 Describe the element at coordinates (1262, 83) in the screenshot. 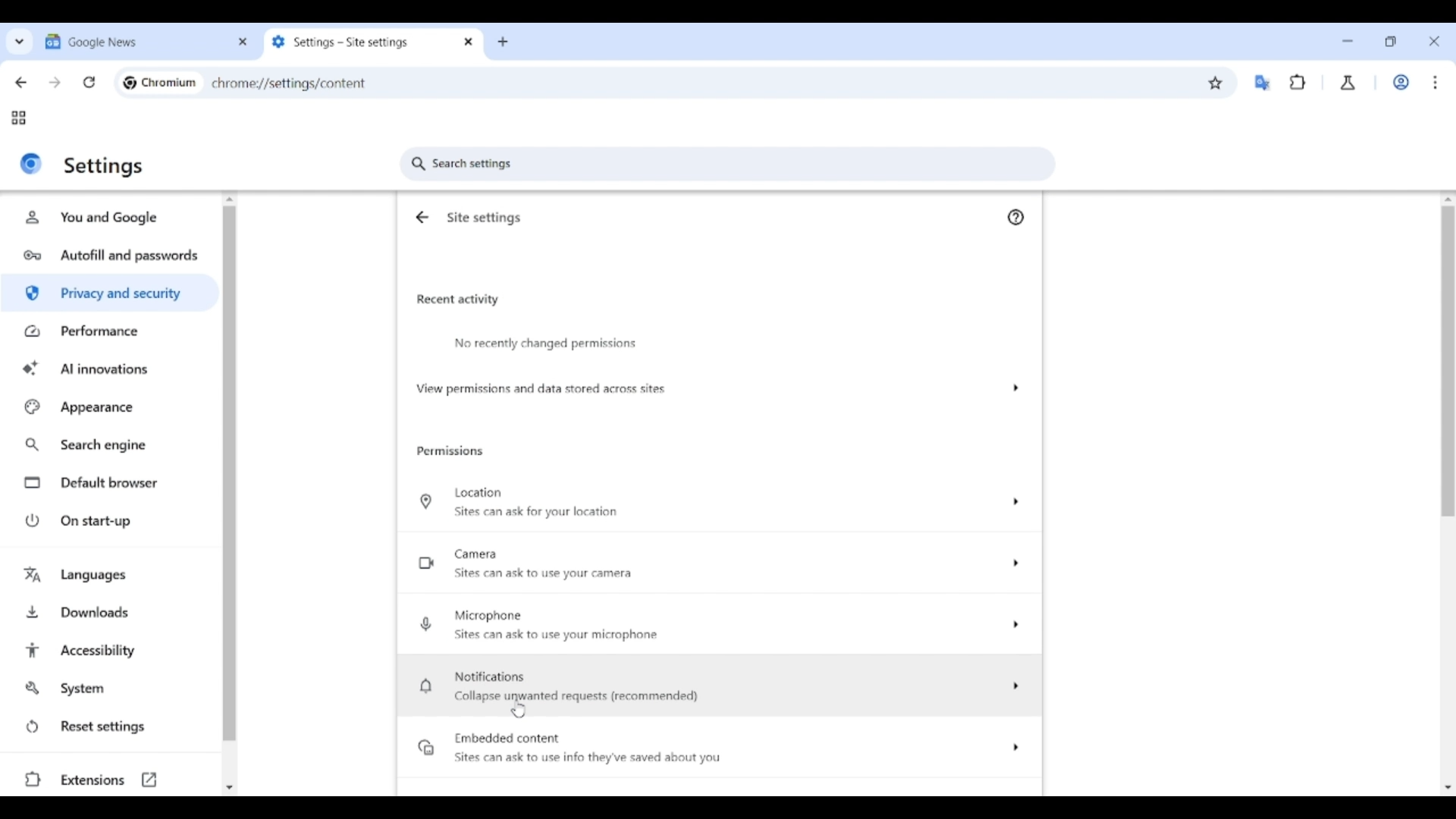

I see `Google translator extension` at that location.